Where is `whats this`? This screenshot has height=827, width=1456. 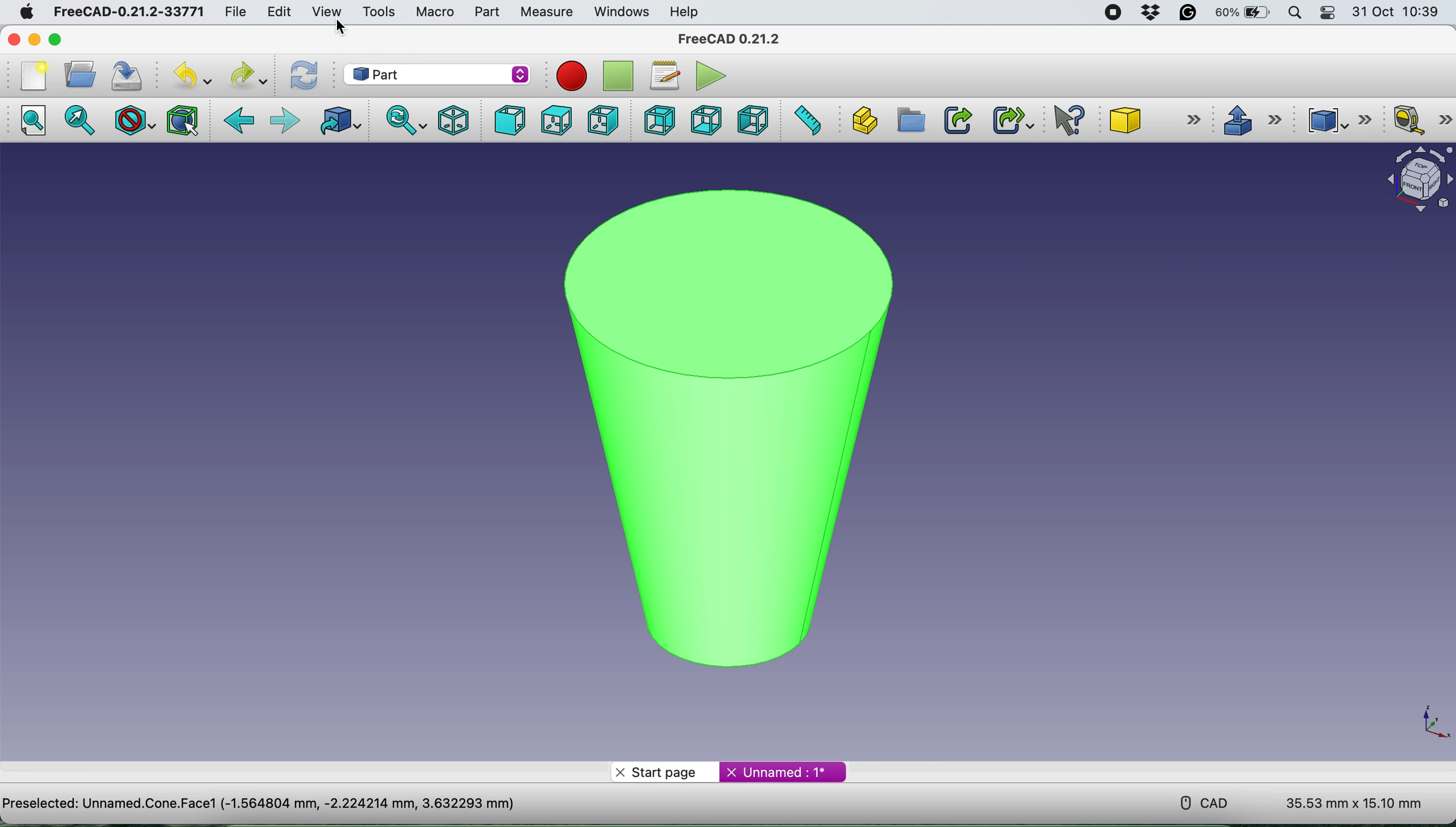 whats this is located at coordinates (1063, 121).